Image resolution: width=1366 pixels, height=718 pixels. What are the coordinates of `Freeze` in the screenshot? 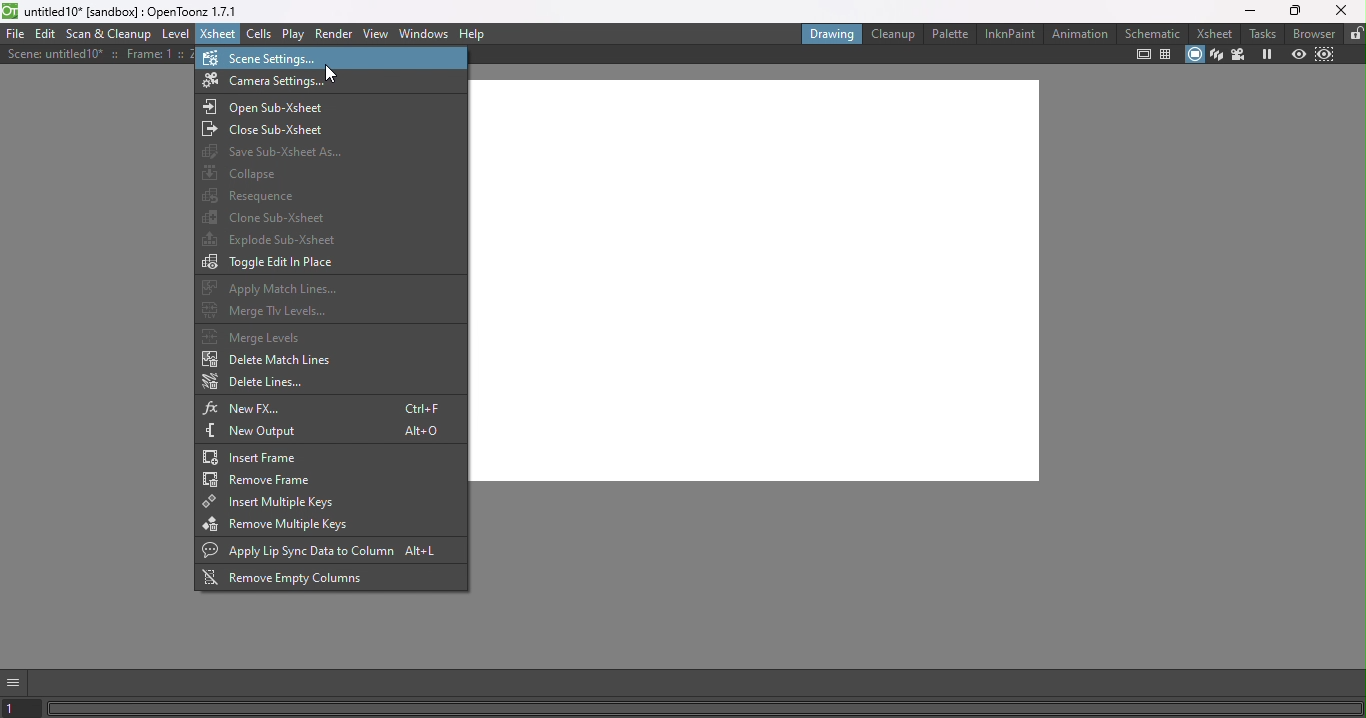 It's located at (1267, 55).